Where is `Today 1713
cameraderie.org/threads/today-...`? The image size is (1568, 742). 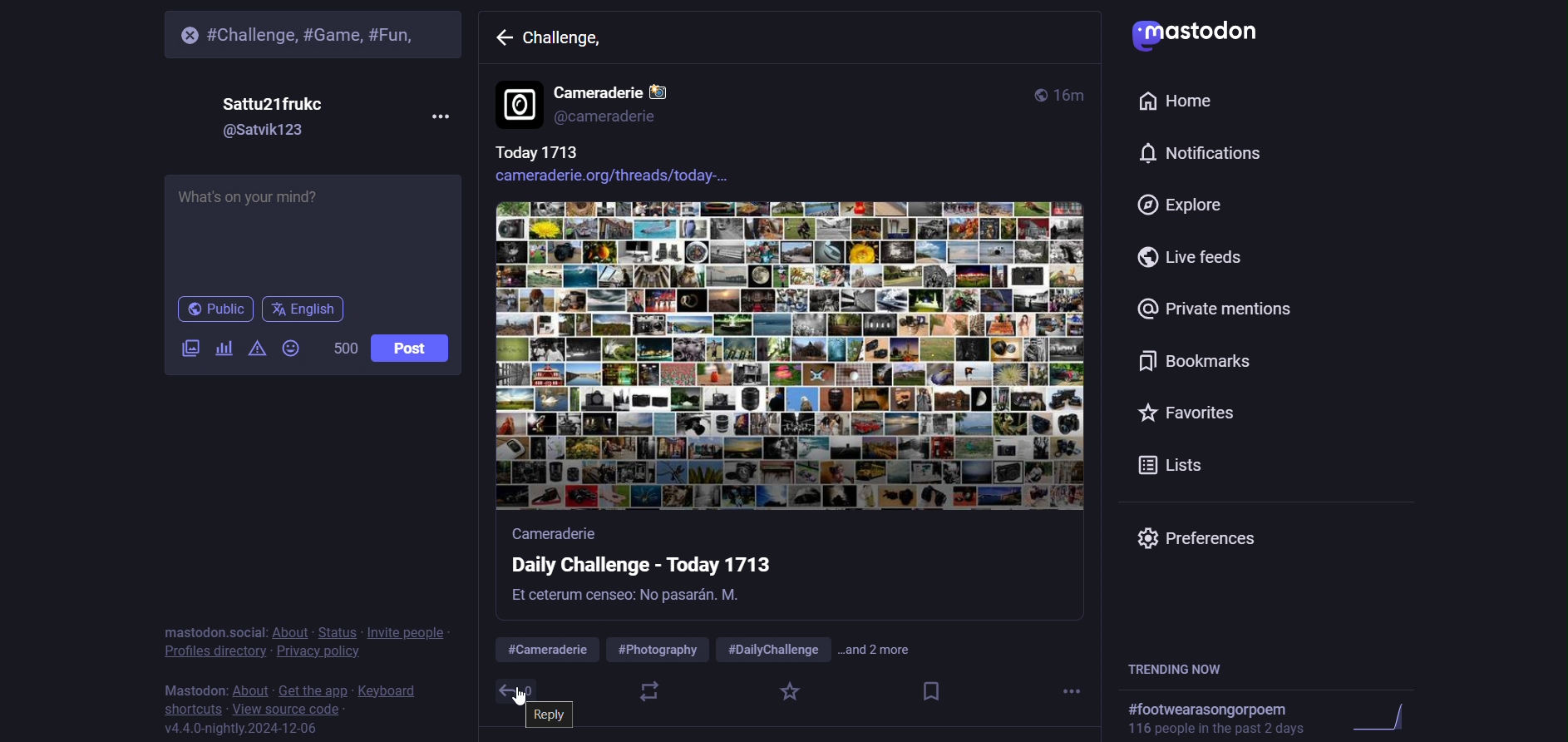
Today 1713
cameraderie.org/threads/today-... is located at coordinates (643, 167).